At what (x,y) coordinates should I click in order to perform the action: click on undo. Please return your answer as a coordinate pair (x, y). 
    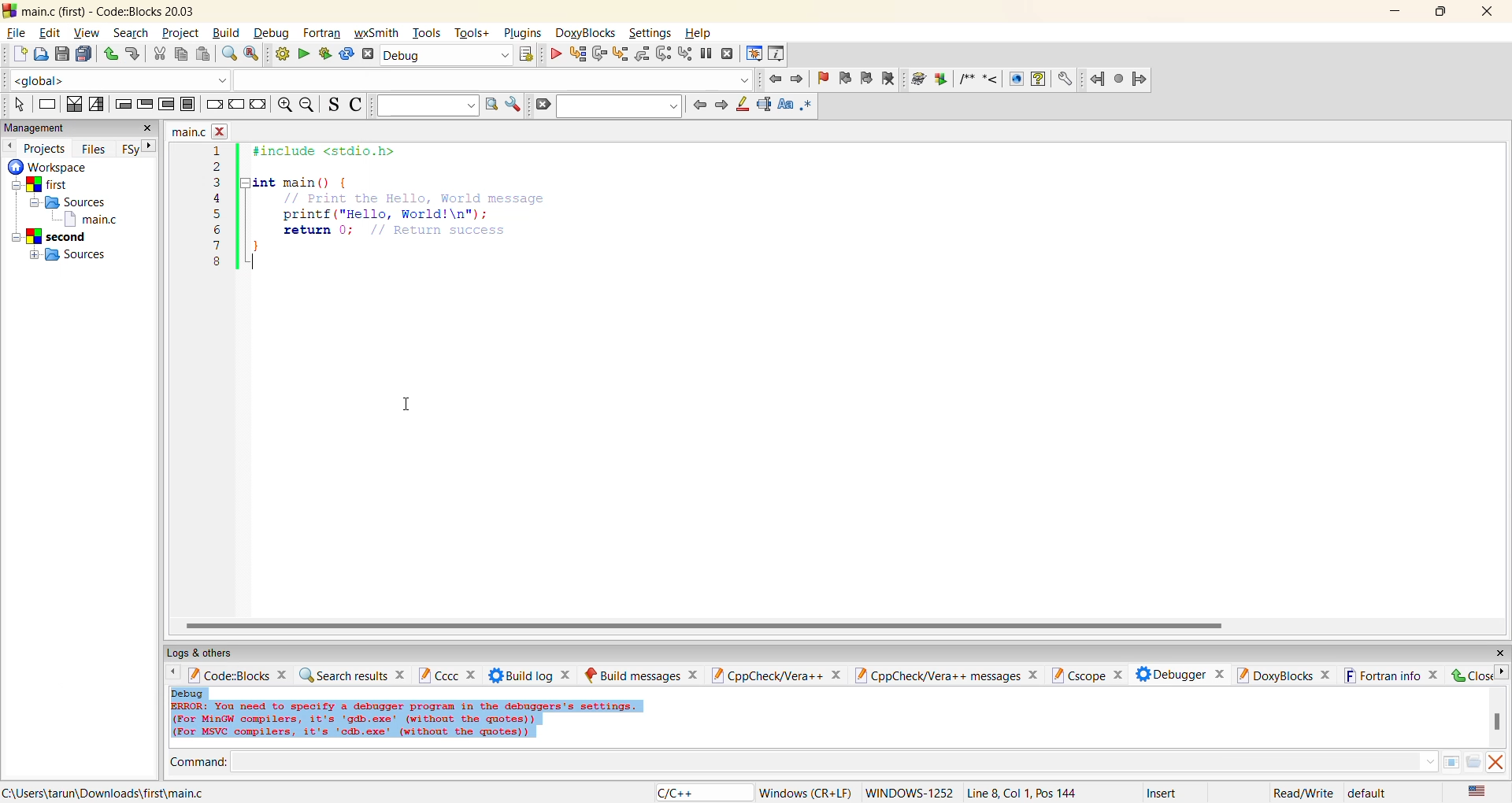
    Looking at the image, I should click on (110, 54).